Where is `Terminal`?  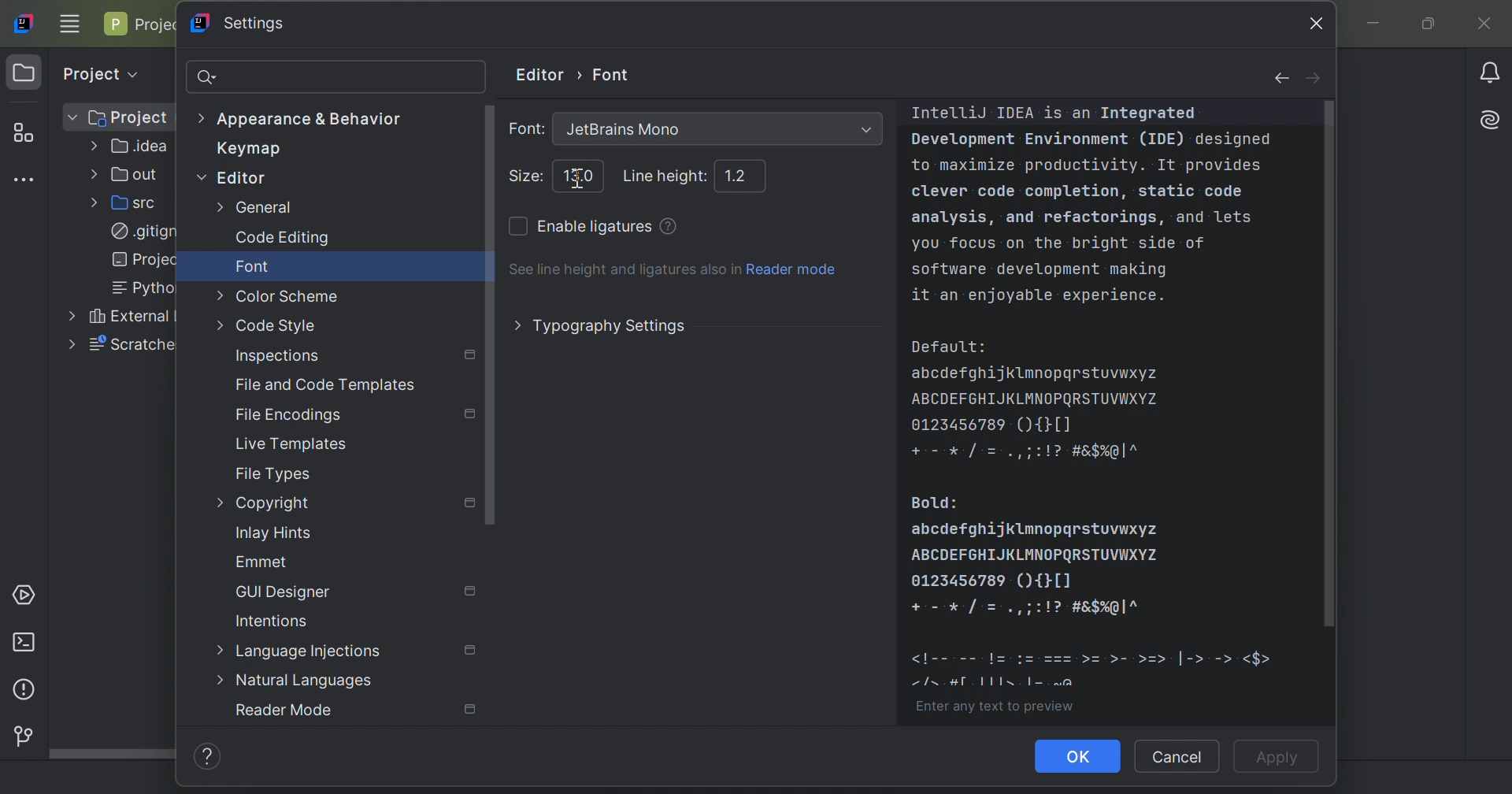
Terminal is located at coordinates (28, 642).